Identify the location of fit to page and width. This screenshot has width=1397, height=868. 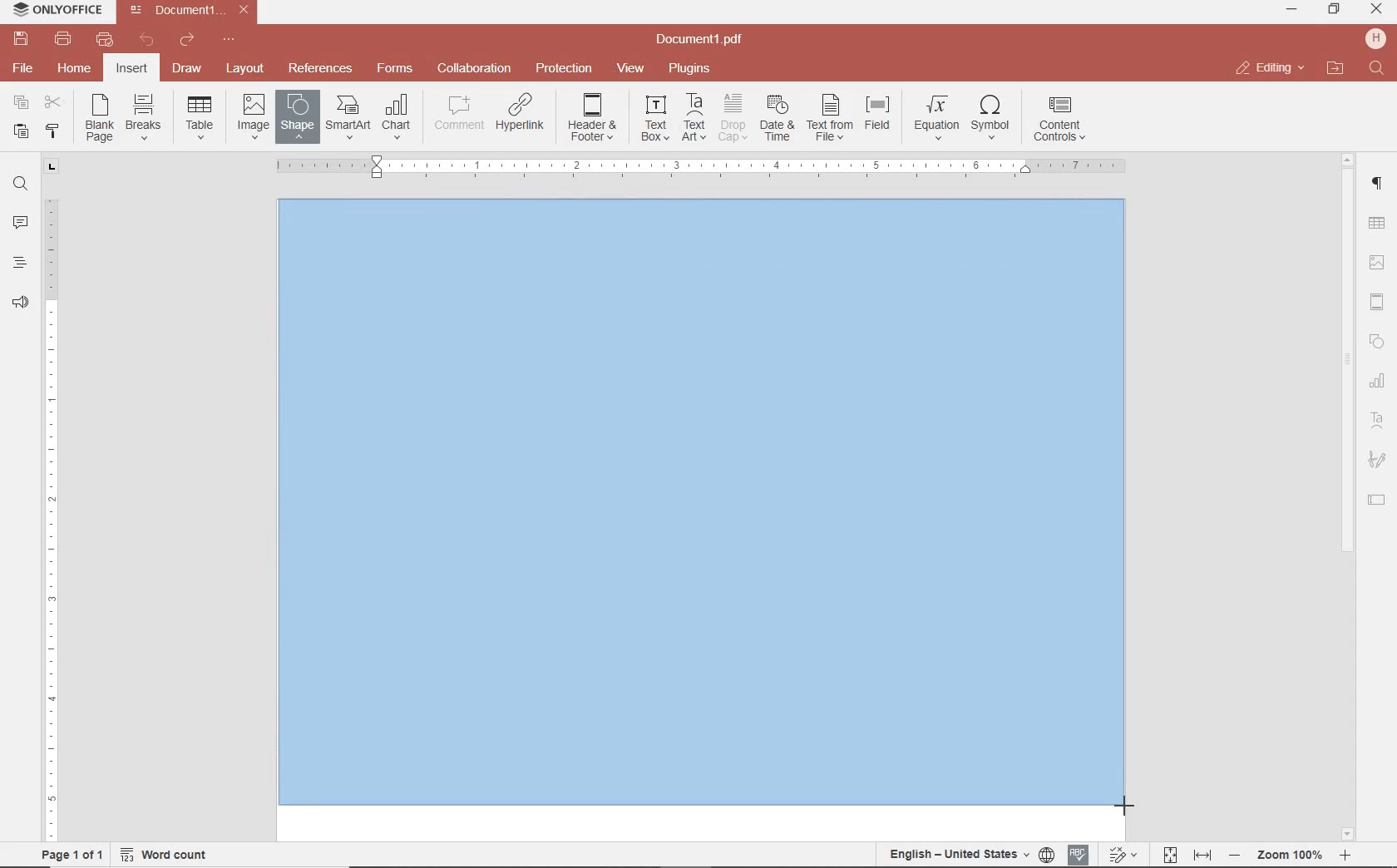
(1184, 856).